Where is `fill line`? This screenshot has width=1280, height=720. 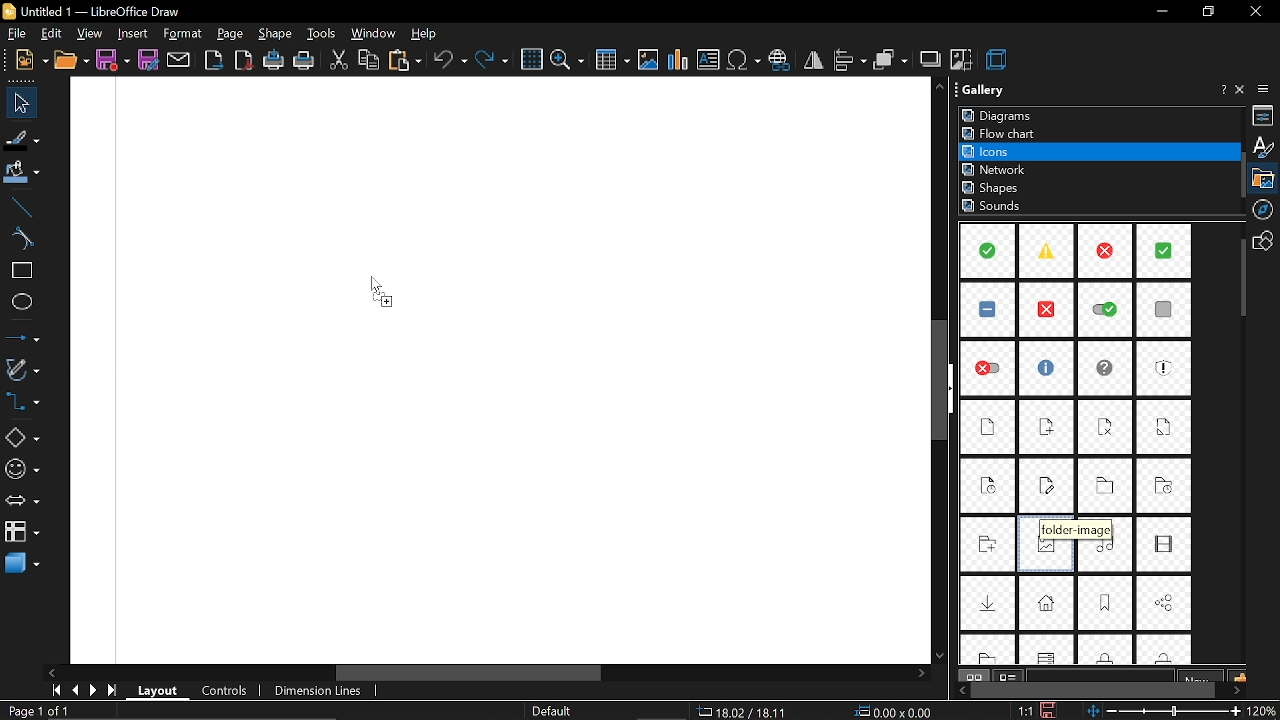
fill line is located at coordinates (20, 137).